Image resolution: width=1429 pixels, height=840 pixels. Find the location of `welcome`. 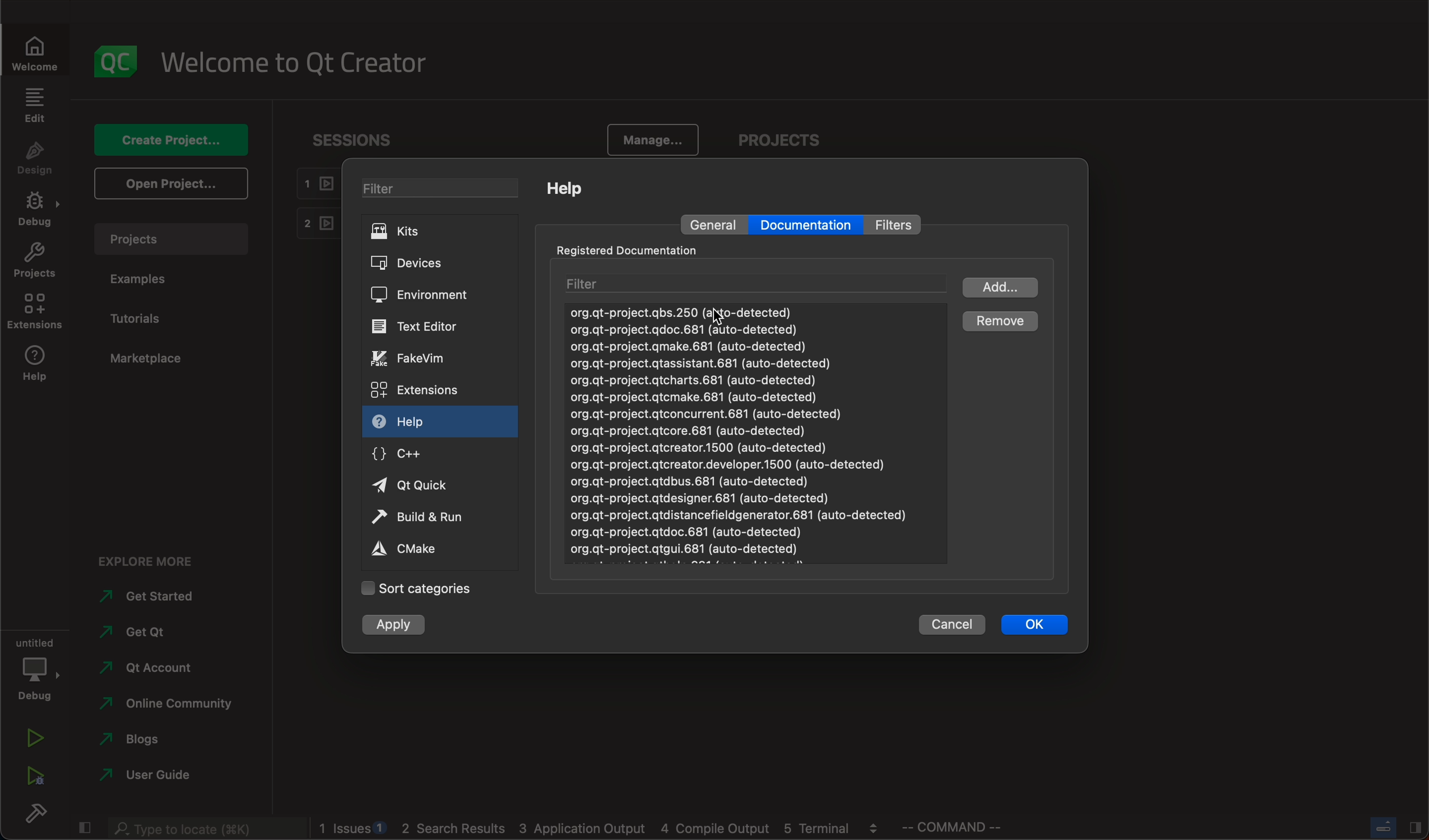

welcome is located at coordinates (33, 57).